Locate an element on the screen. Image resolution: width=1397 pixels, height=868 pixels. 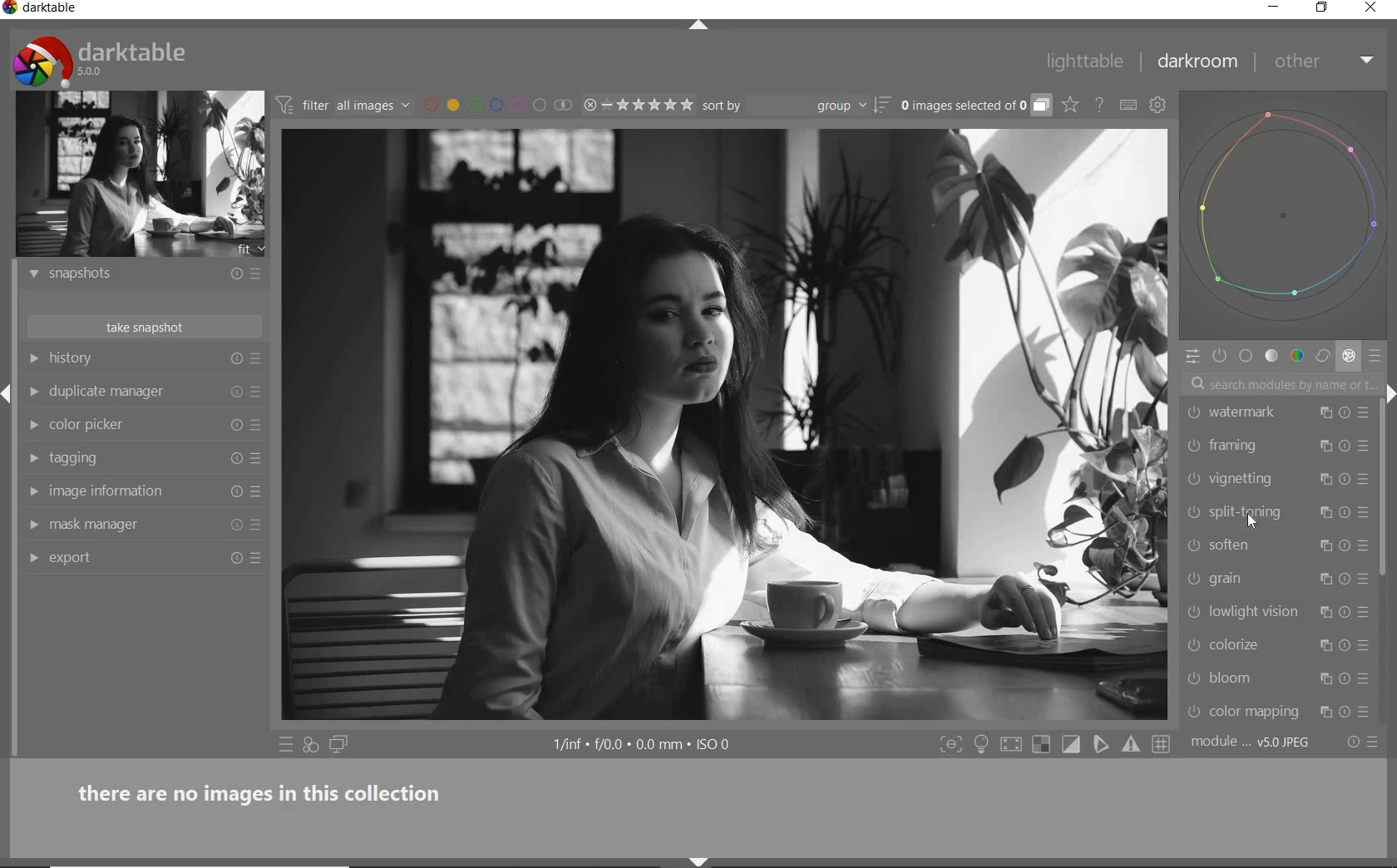
display a second darkroom image window is located at coordinates (339, 745).